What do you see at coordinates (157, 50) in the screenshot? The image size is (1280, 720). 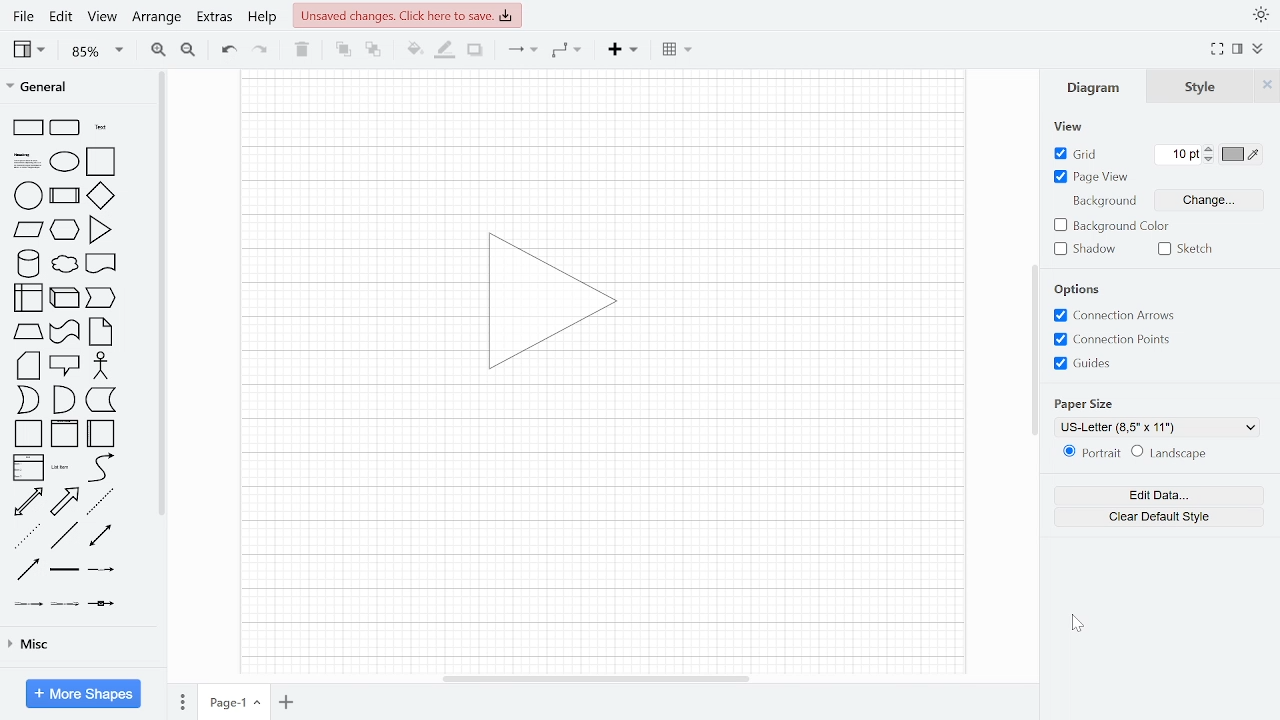 I see `Zoom in` at bounding box center [157, 50].